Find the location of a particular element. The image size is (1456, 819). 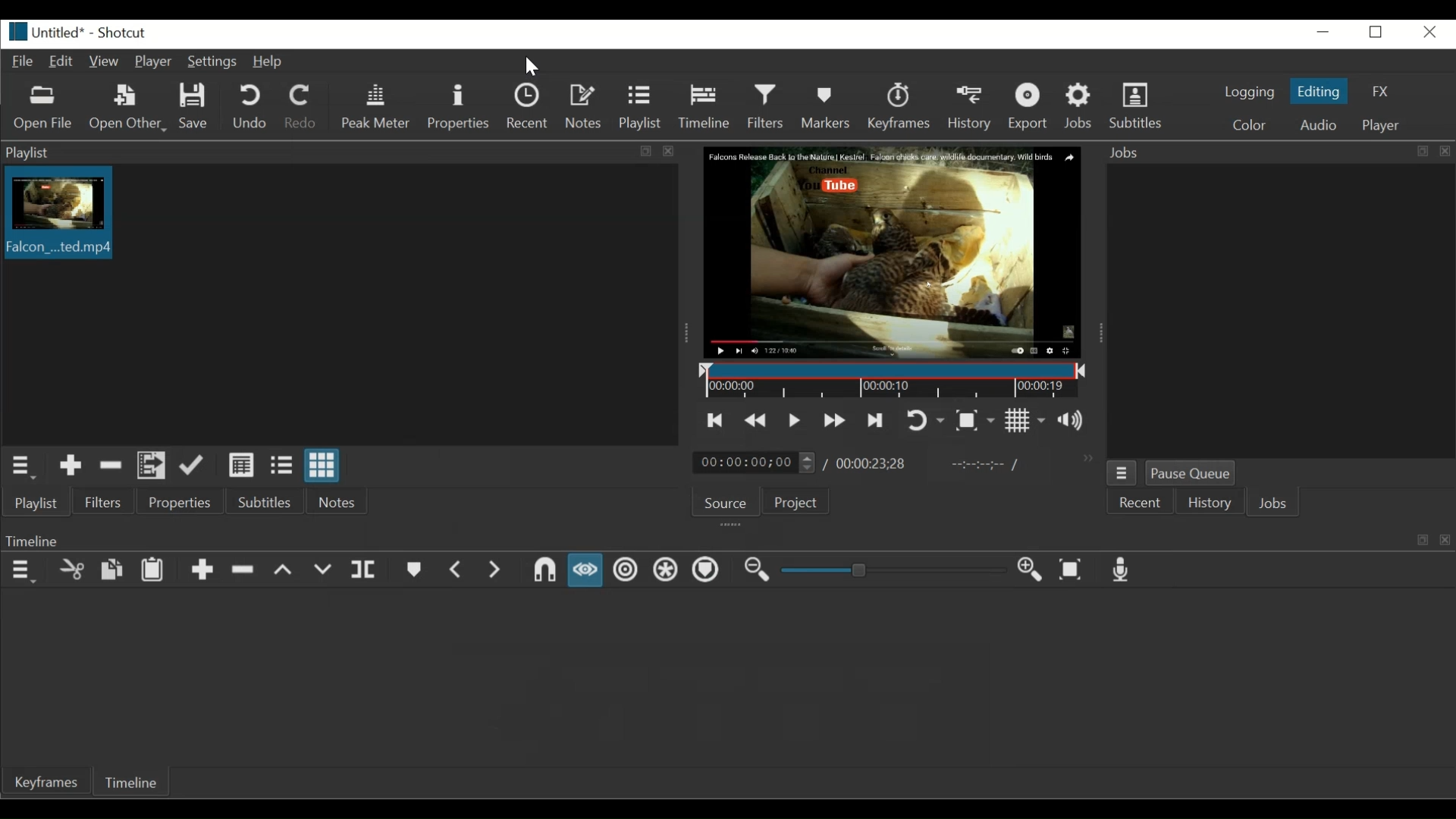

Jobs is located at coordinates (1081, 108).